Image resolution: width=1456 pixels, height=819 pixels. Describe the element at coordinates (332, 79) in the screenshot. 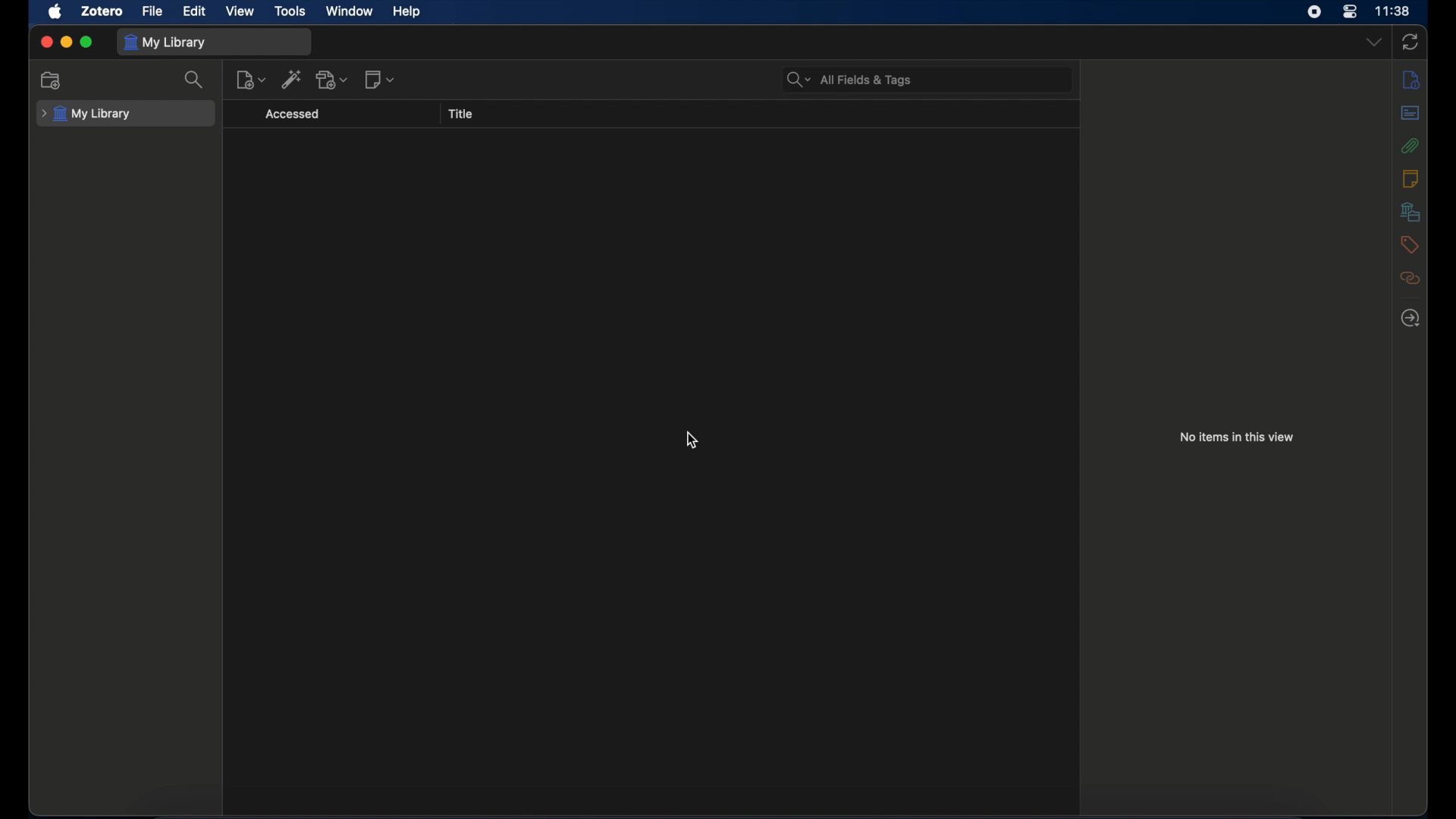

I see `add attachments` at that location.